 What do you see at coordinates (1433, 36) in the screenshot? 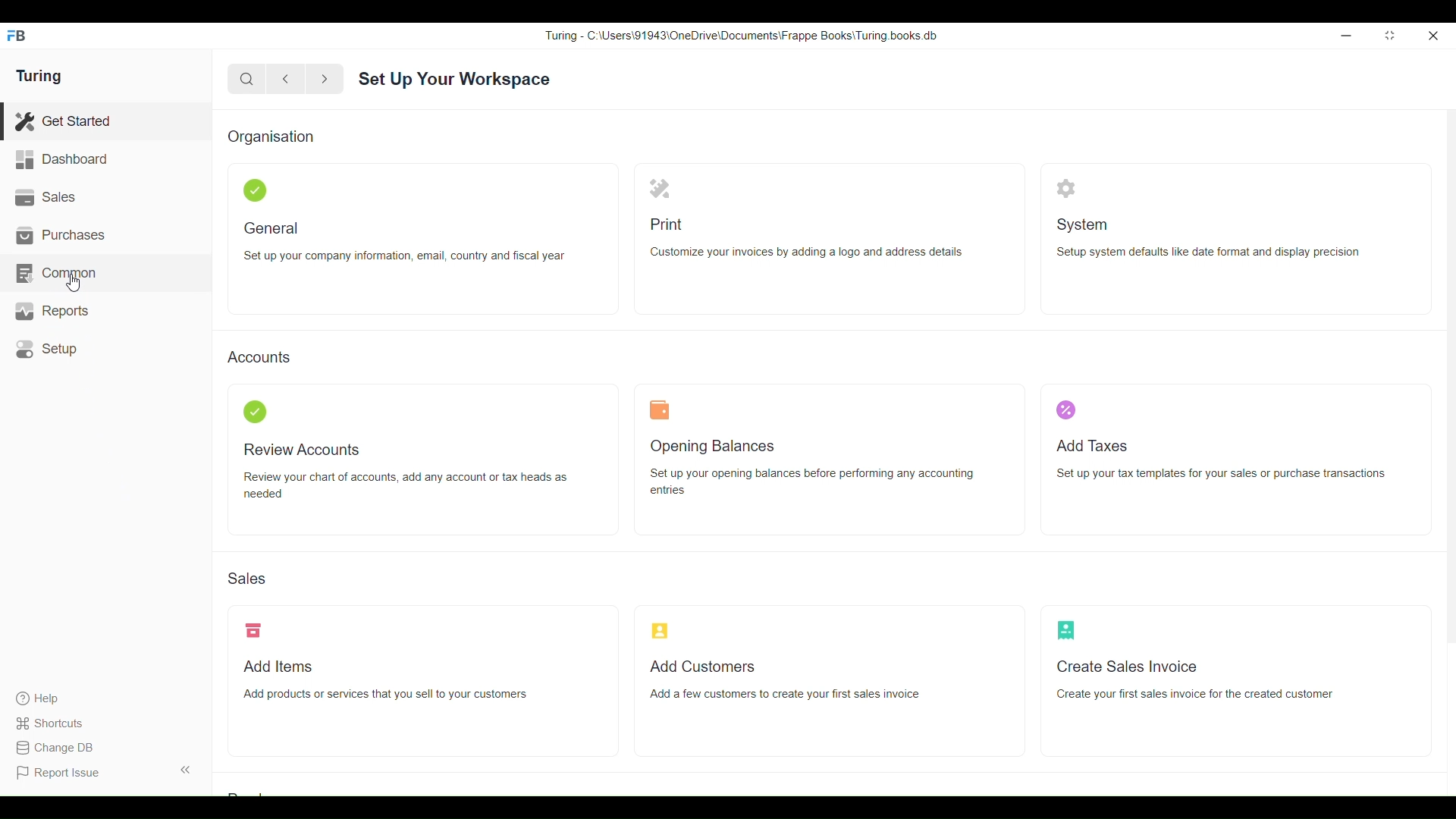
I see `Close` at bounding box center [1433, 36].